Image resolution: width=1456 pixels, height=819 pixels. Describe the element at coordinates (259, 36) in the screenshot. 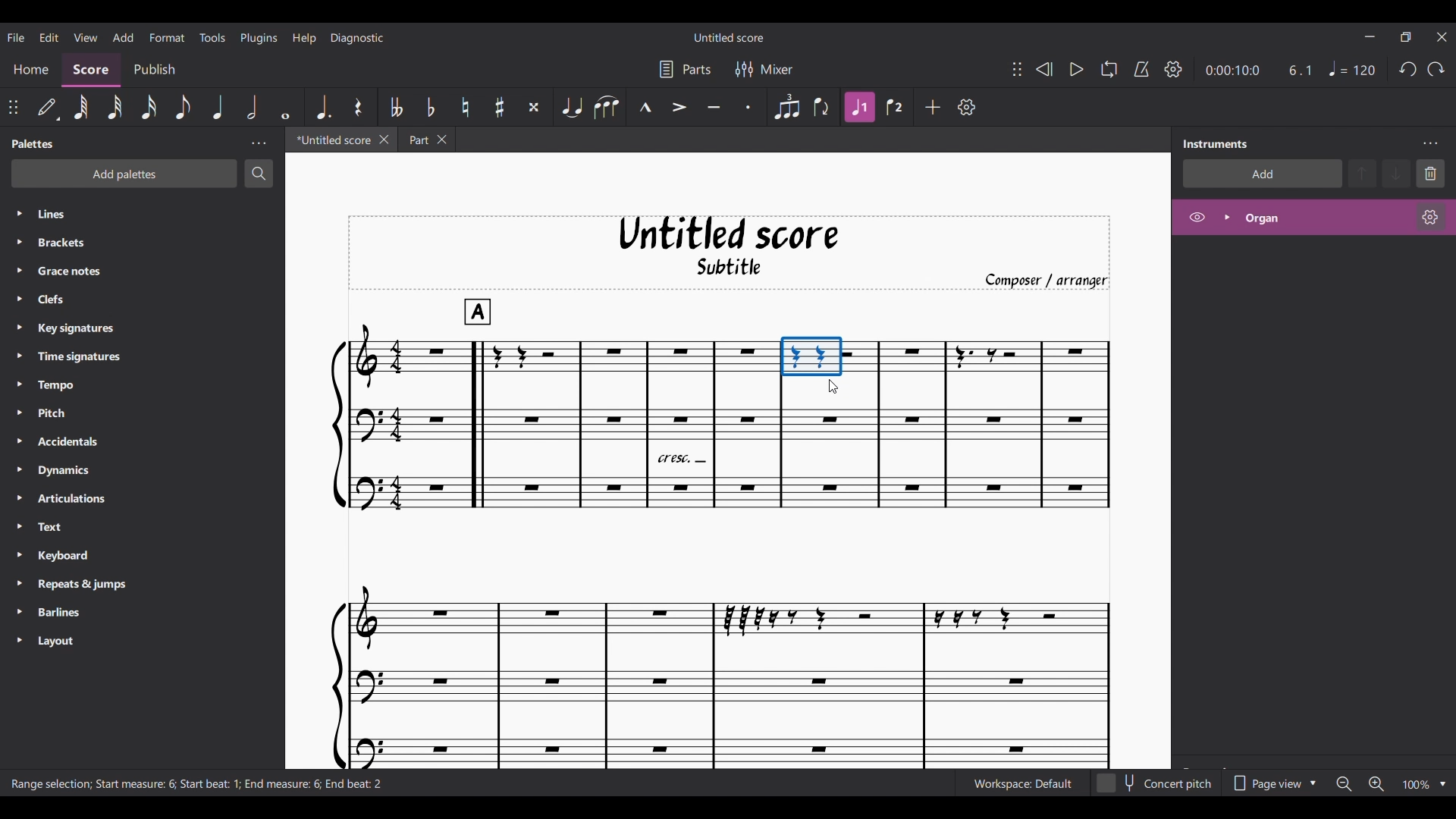

I see `Plugins menu` at that location.